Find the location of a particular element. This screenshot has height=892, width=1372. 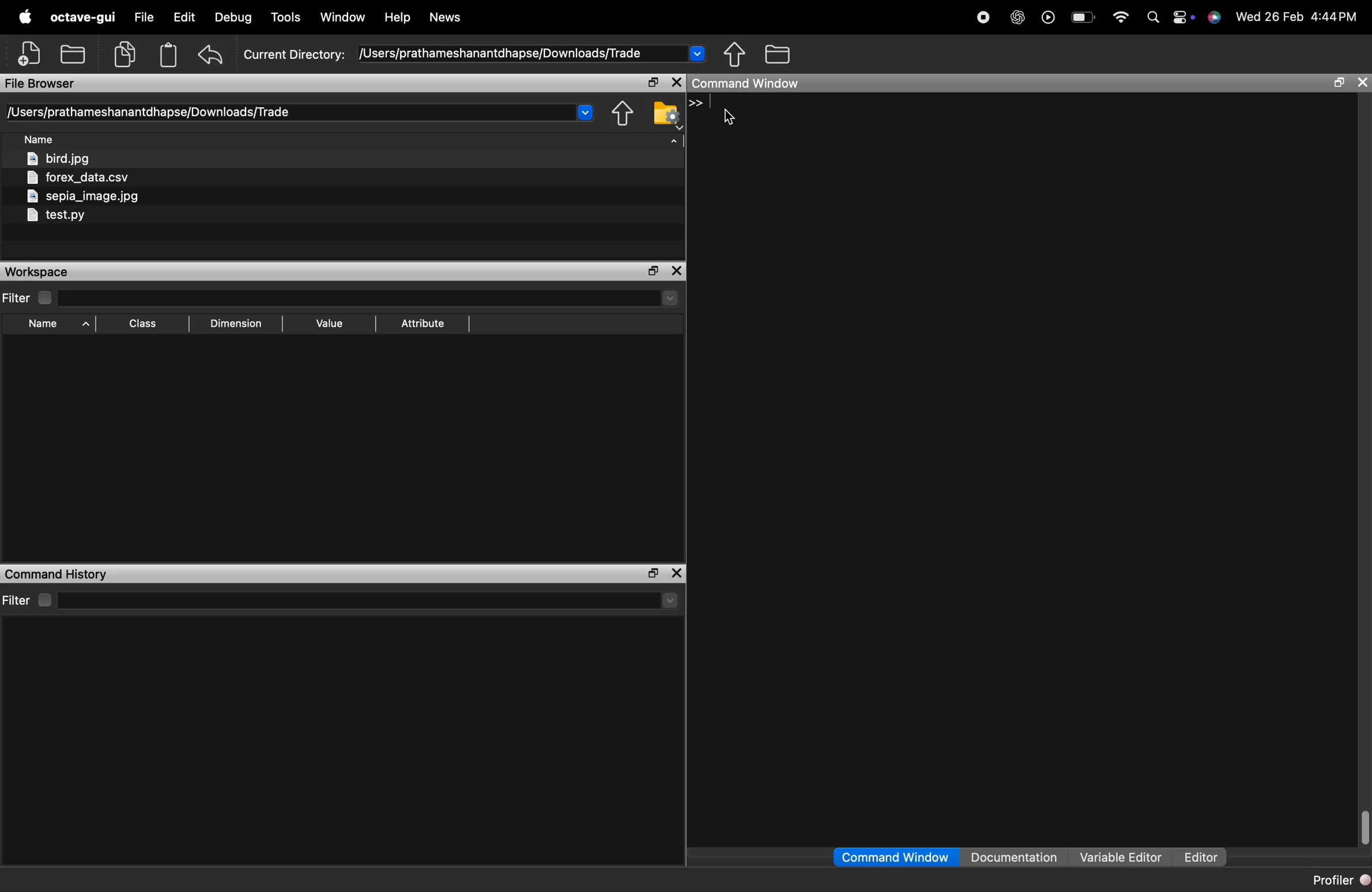

copy is located at coordinates (125, 54).